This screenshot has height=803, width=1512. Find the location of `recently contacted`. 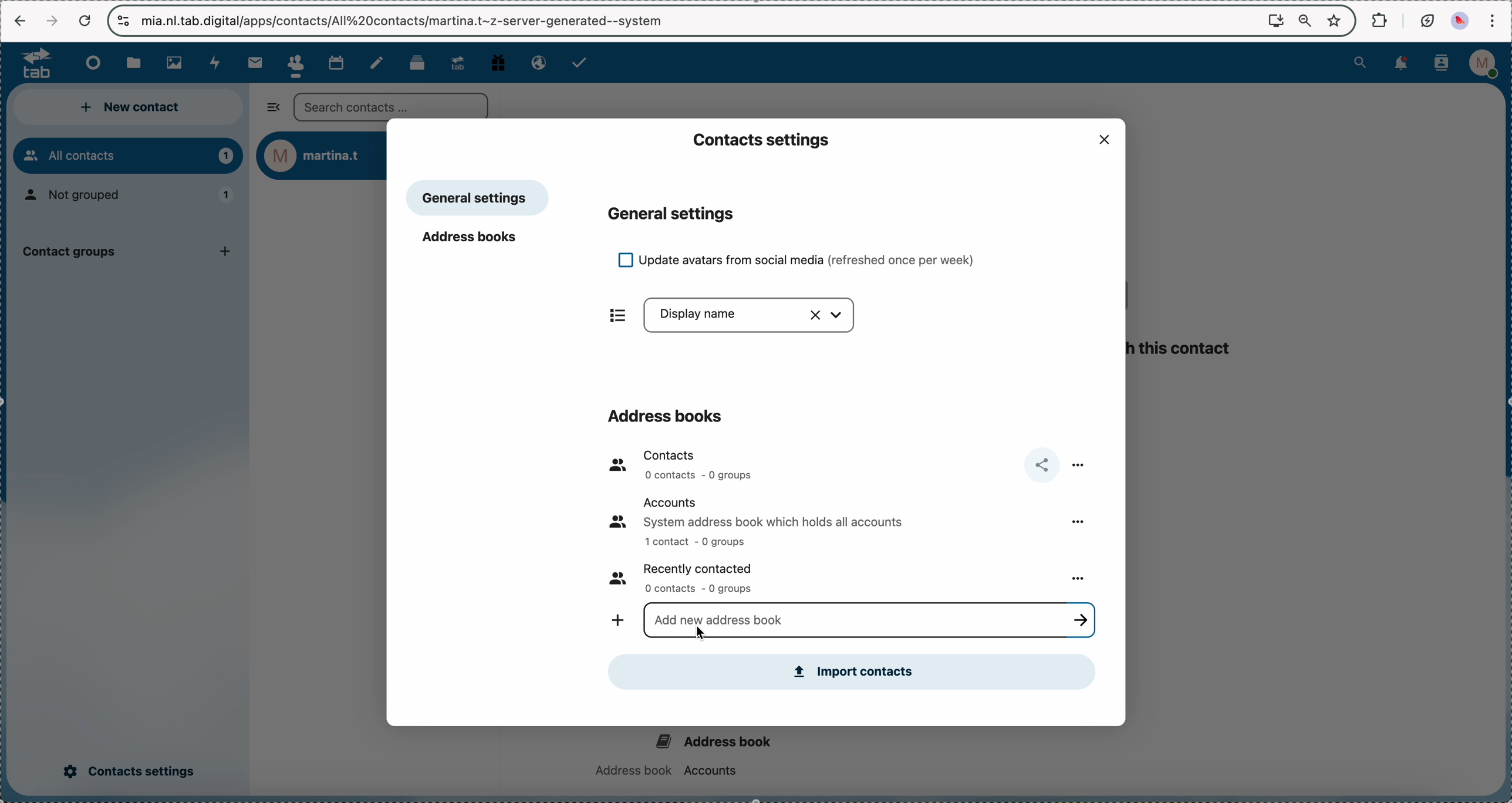

recently contacted is located at coordinates (691, 577).